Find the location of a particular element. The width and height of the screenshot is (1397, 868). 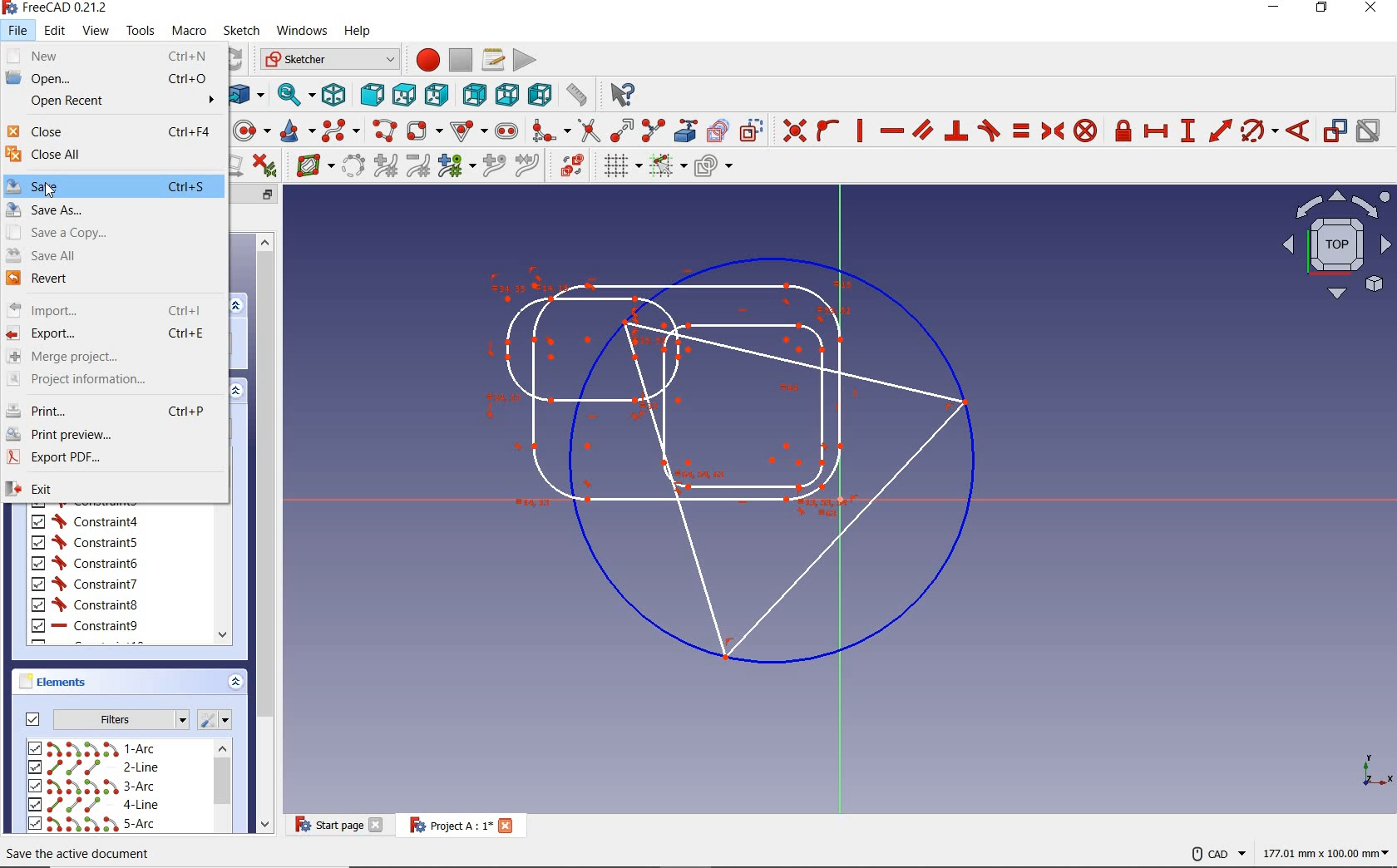

sync view is located at coordinates (294, 95).